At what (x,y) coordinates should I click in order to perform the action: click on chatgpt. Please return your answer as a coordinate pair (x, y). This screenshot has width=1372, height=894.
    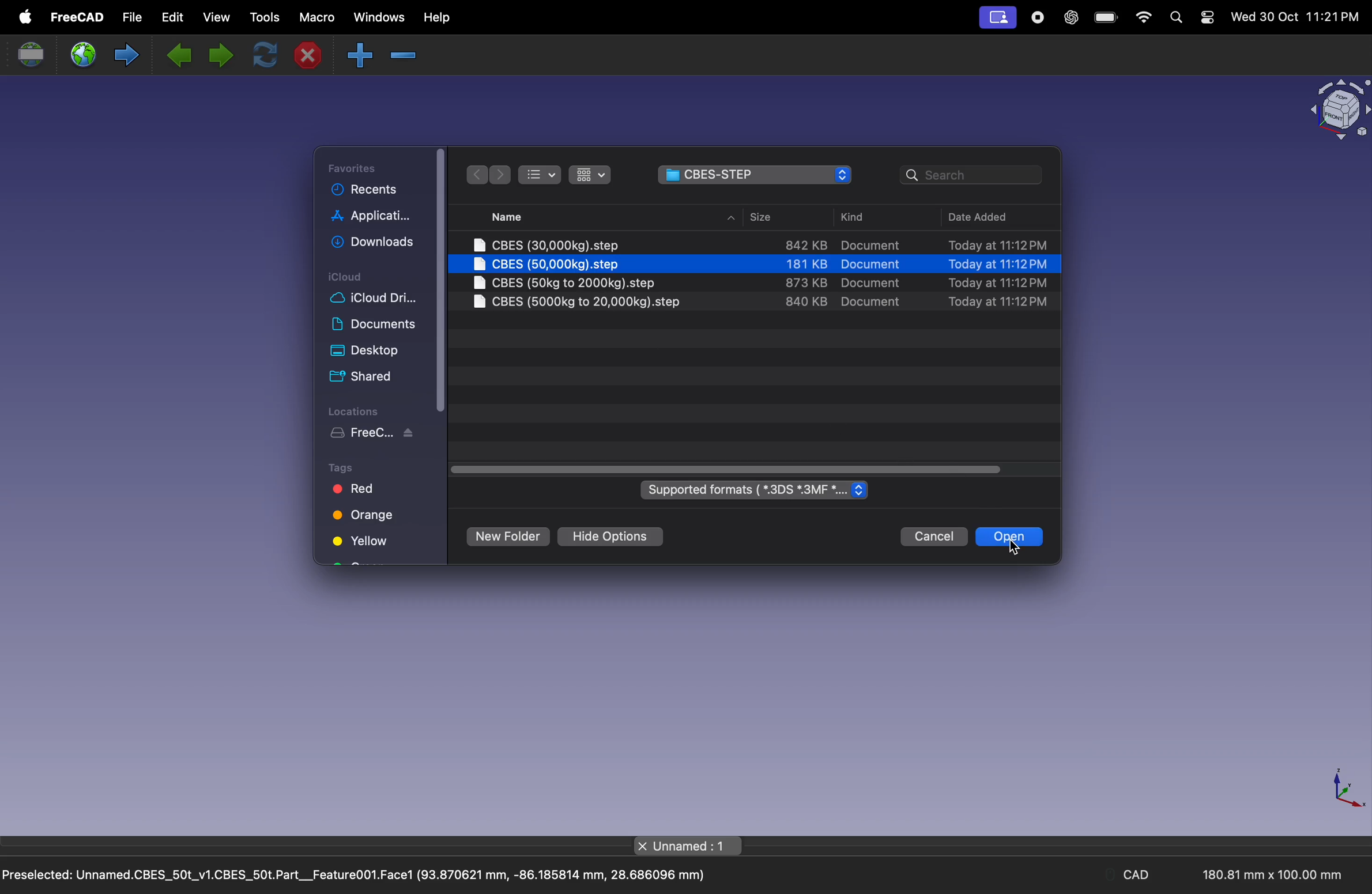
    Looking at the image, I should click on (1068, 18).